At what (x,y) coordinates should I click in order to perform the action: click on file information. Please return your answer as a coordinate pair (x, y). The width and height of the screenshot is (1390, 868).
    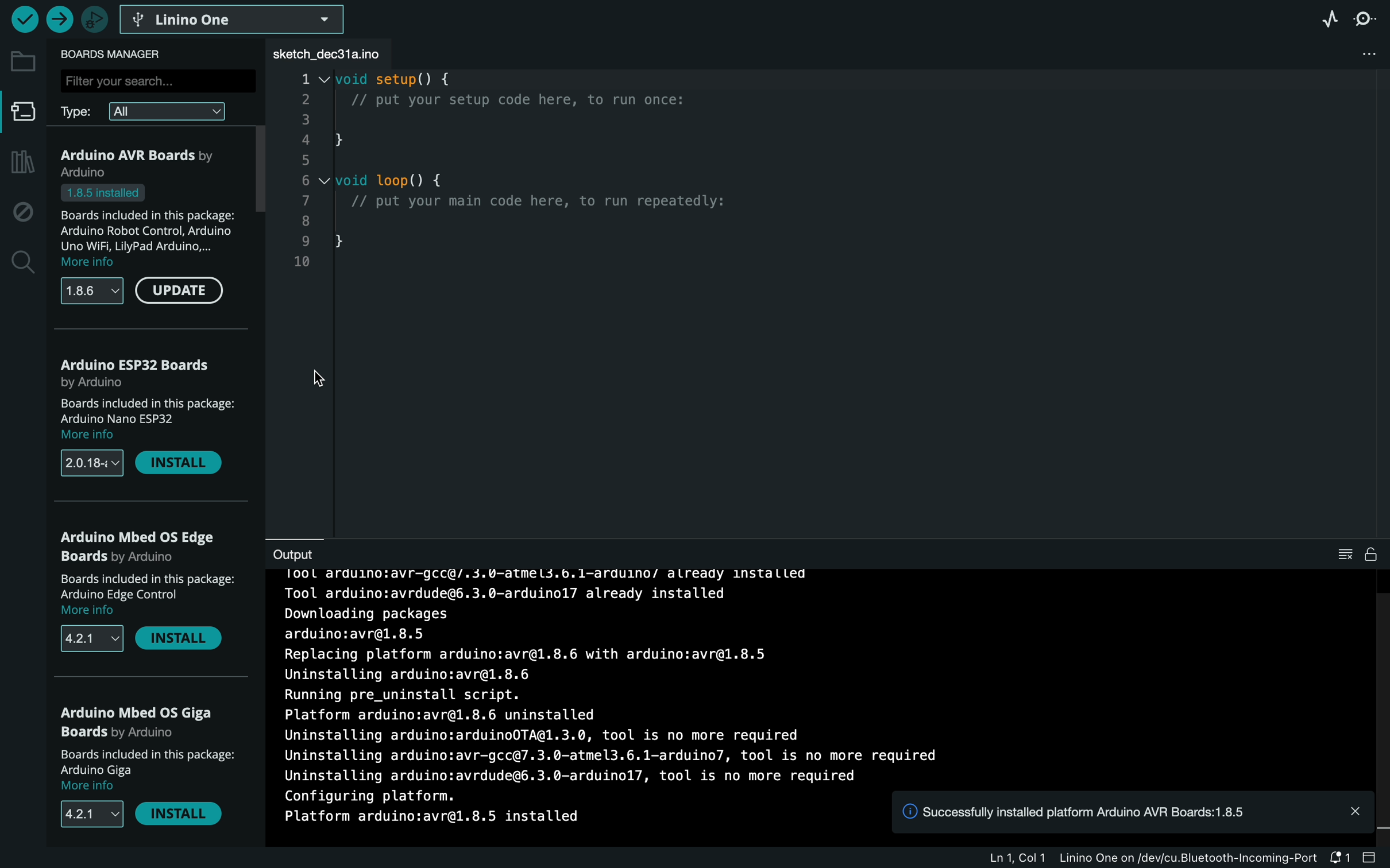
    Looking at the image, I should click on (1168, 857).